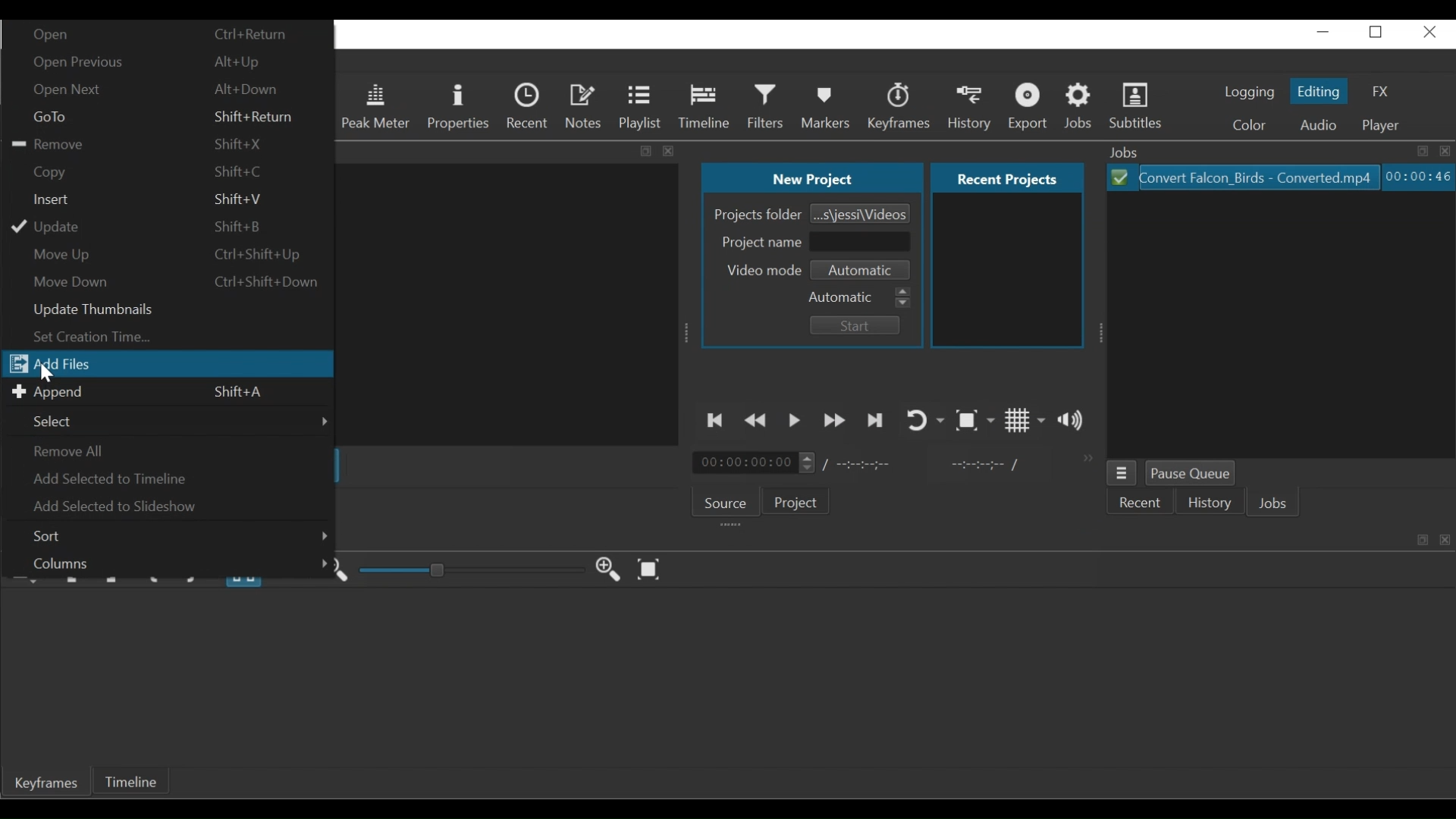  Describe the element at coordinates (902, 107) in the screenshot. I see `Keyframes` at that location.